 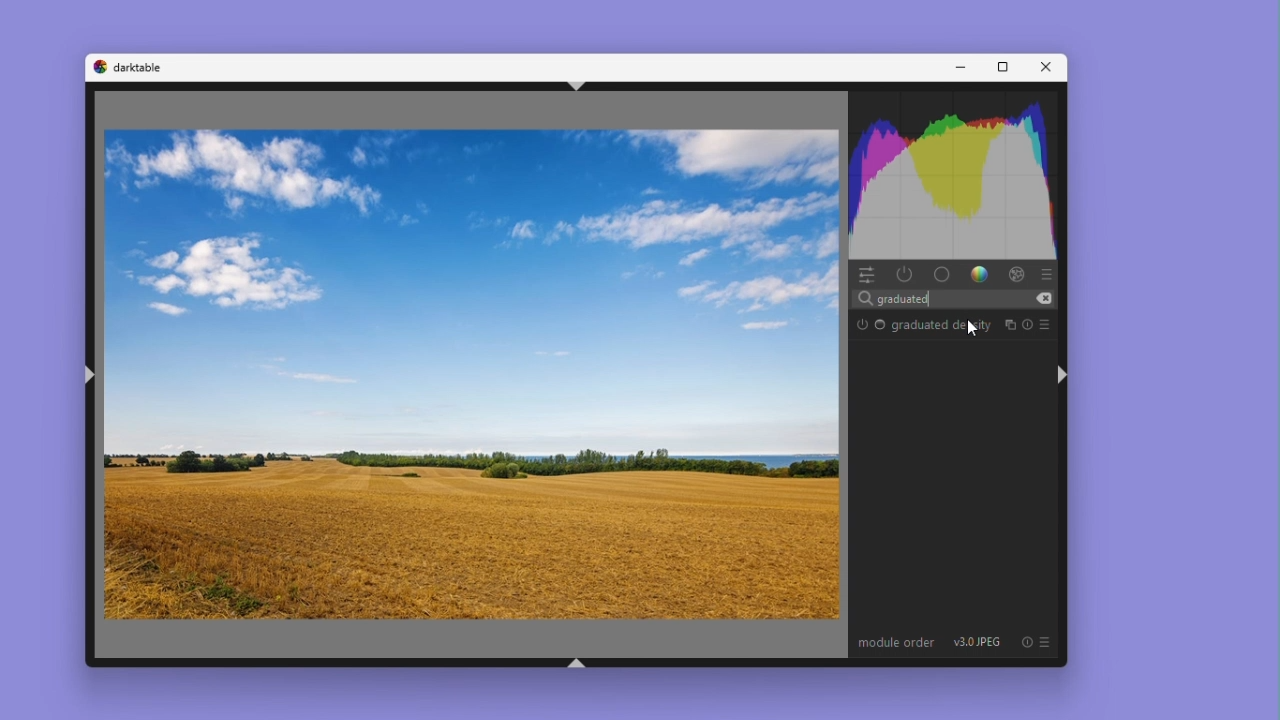 What do you see at coordinates (575, 83) in the screenshot?
I see `shift+ctrl+t` at bounding box center [575, 83].